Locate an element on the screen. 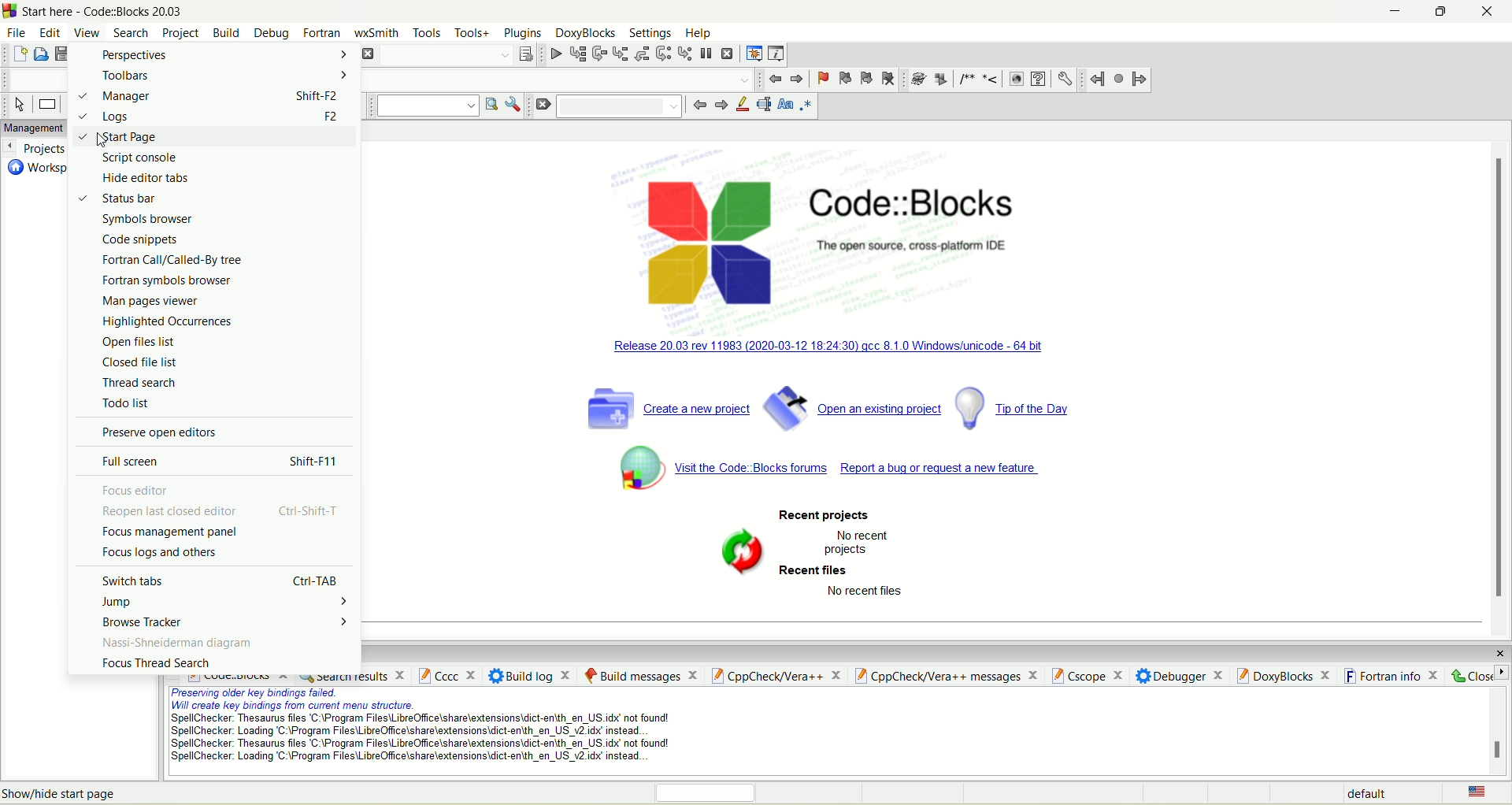  open and existing project is located at coordinates (852, 406).